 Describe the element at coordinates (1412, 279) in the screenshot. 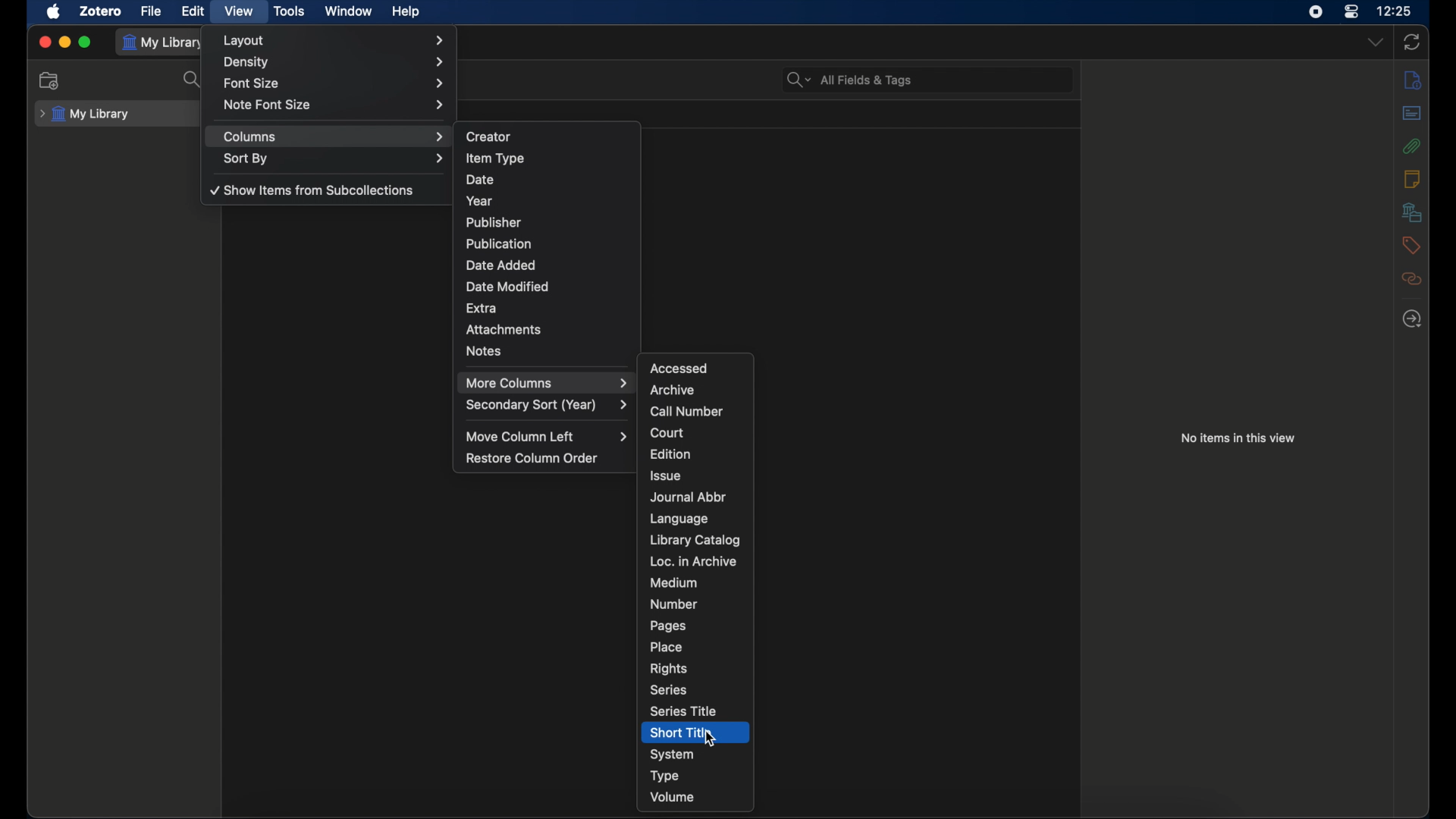

I see `related` at that location.